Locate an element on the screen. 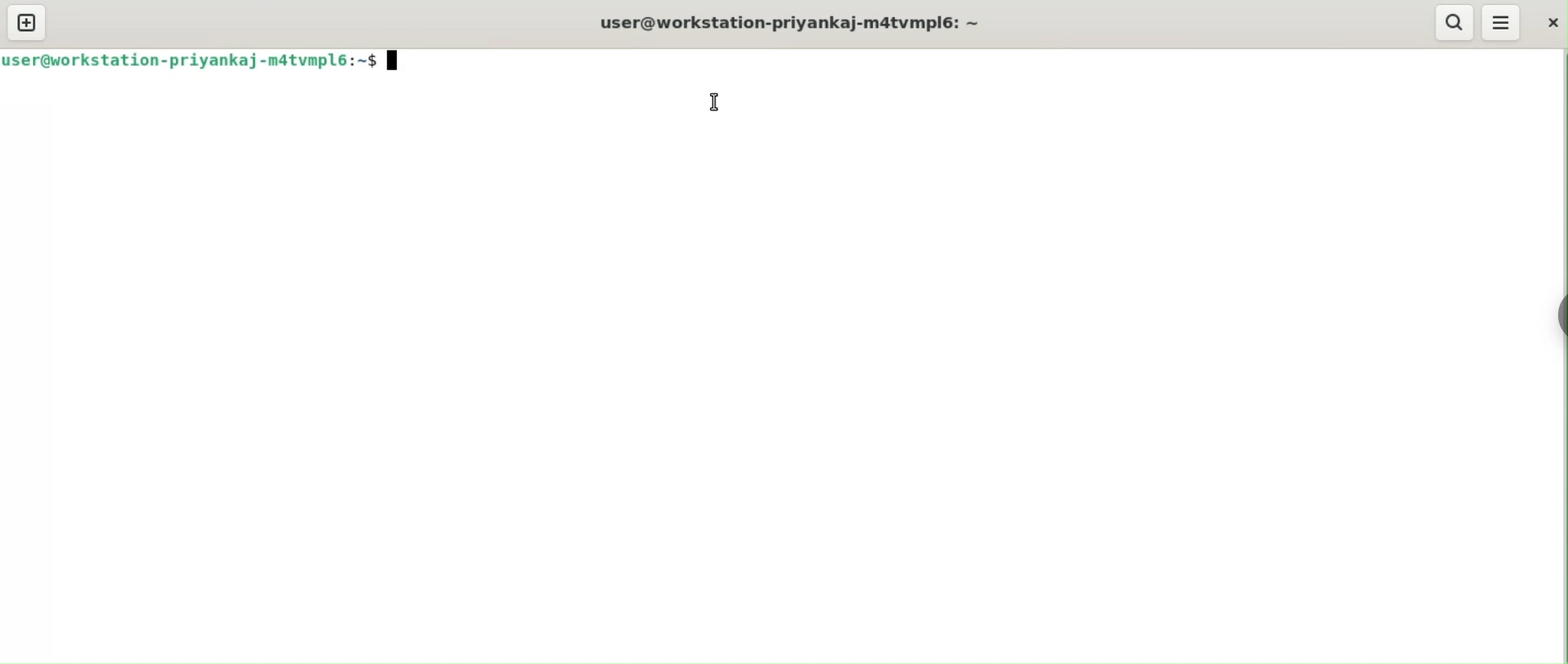 The width and height of the screenshot is (1568, 664). sidebar is located at coordinates (1561, 315).